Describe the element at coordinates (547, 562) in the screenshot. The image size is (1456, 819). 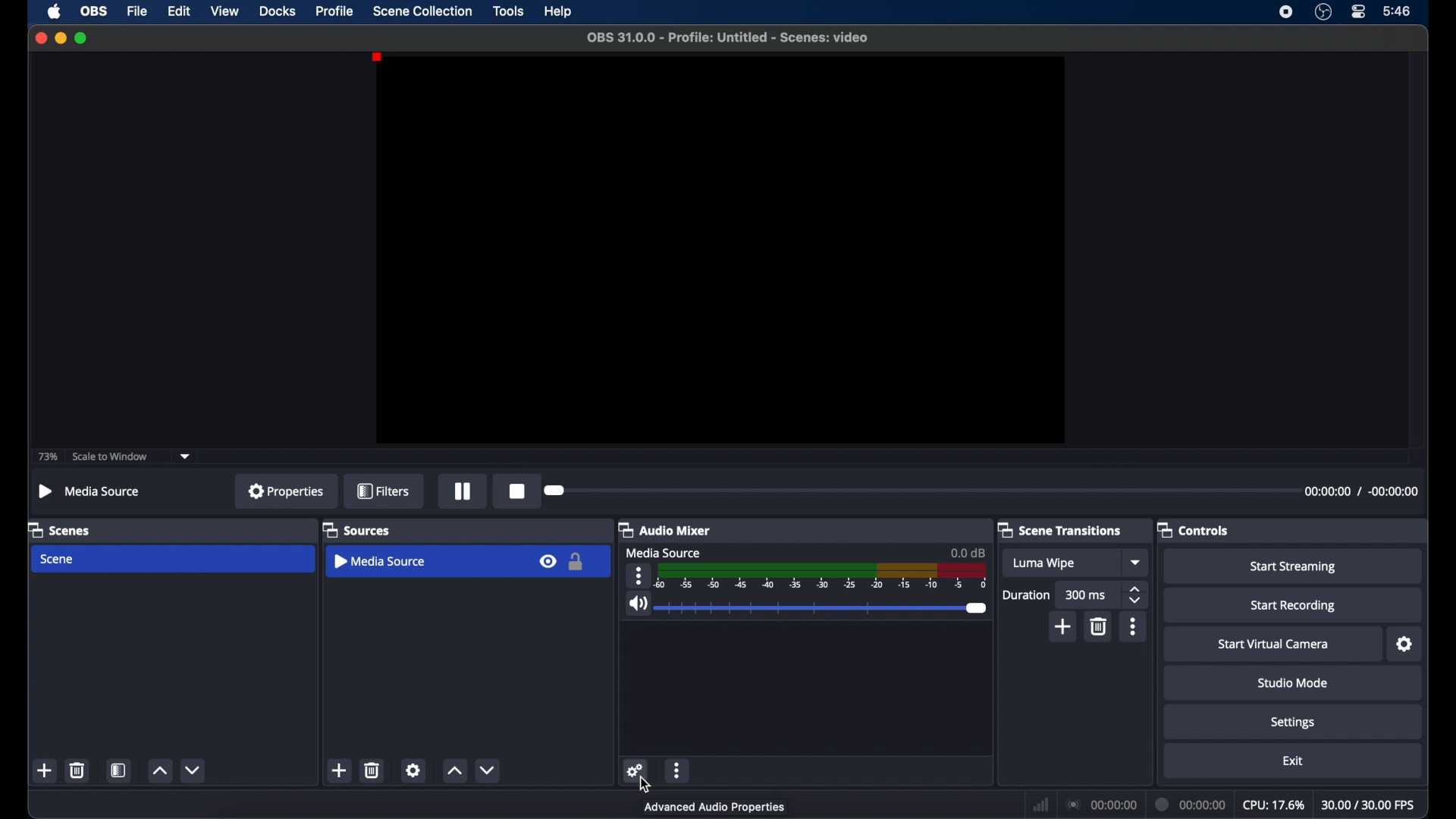
I see `visibility ` at that location.